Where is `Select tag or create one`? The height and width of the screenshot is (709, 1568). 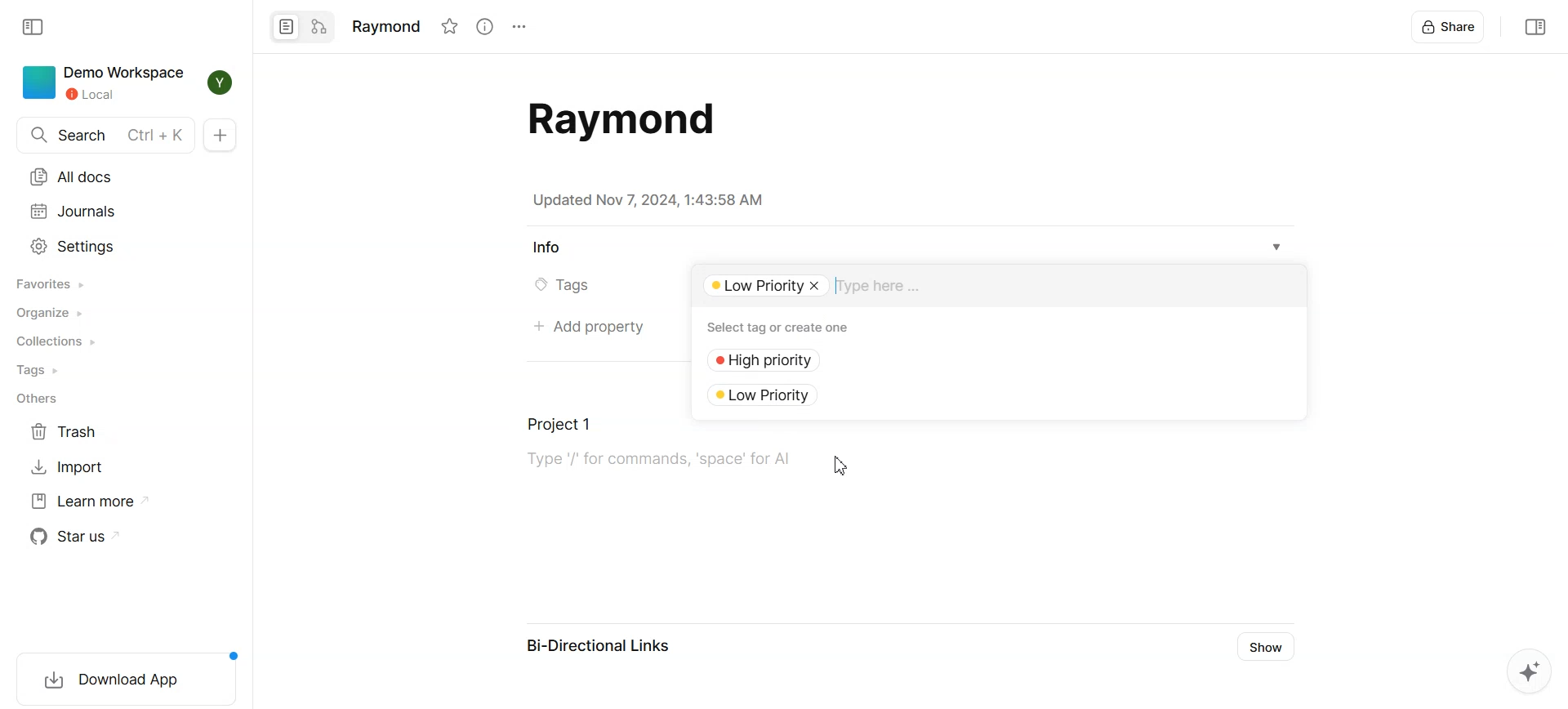
Select tag or create one is located at coordinates (783, 327).